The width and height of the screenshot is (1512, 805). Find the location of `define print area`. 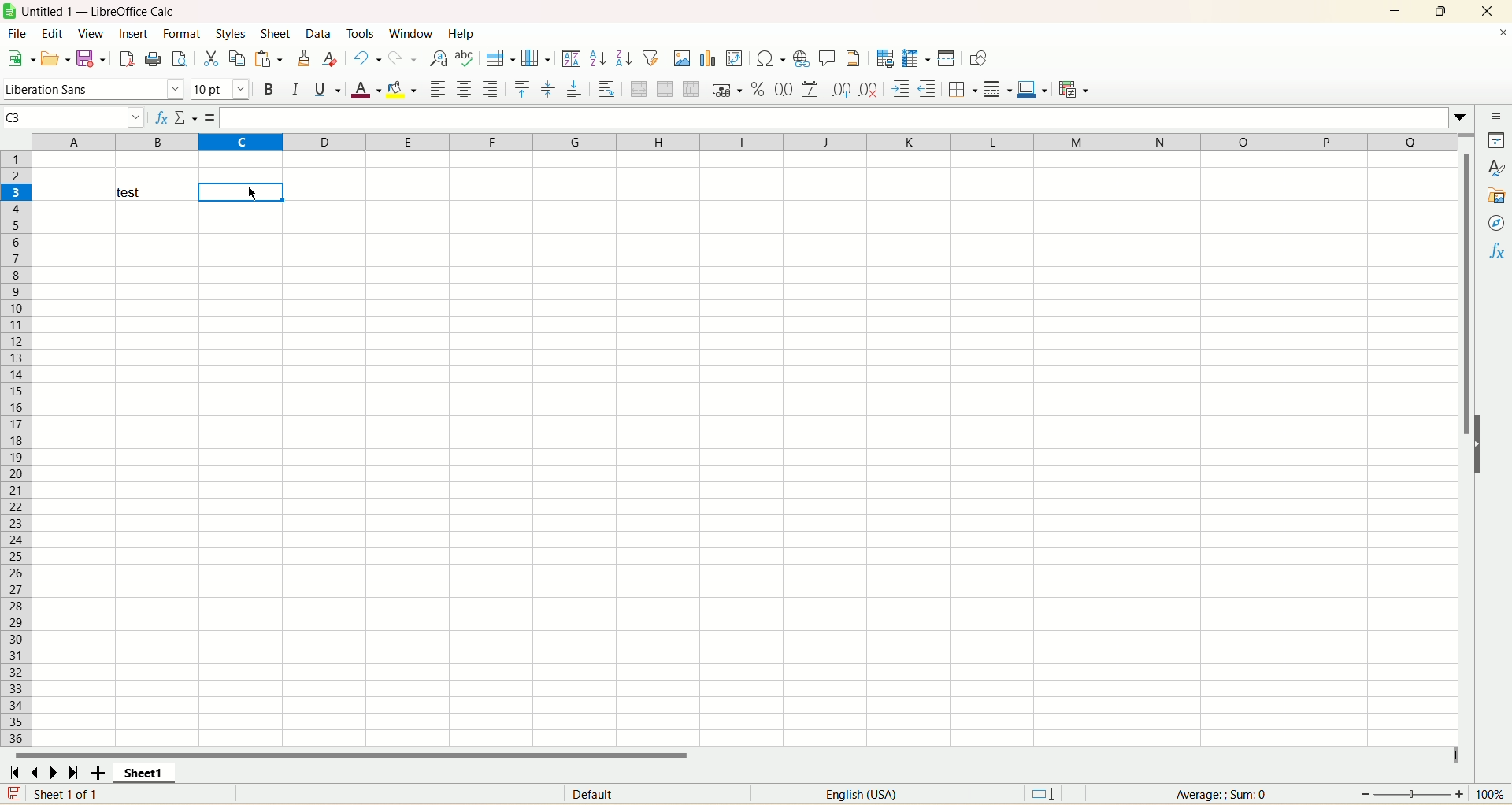

define print area is located at coordinates (885, 58).